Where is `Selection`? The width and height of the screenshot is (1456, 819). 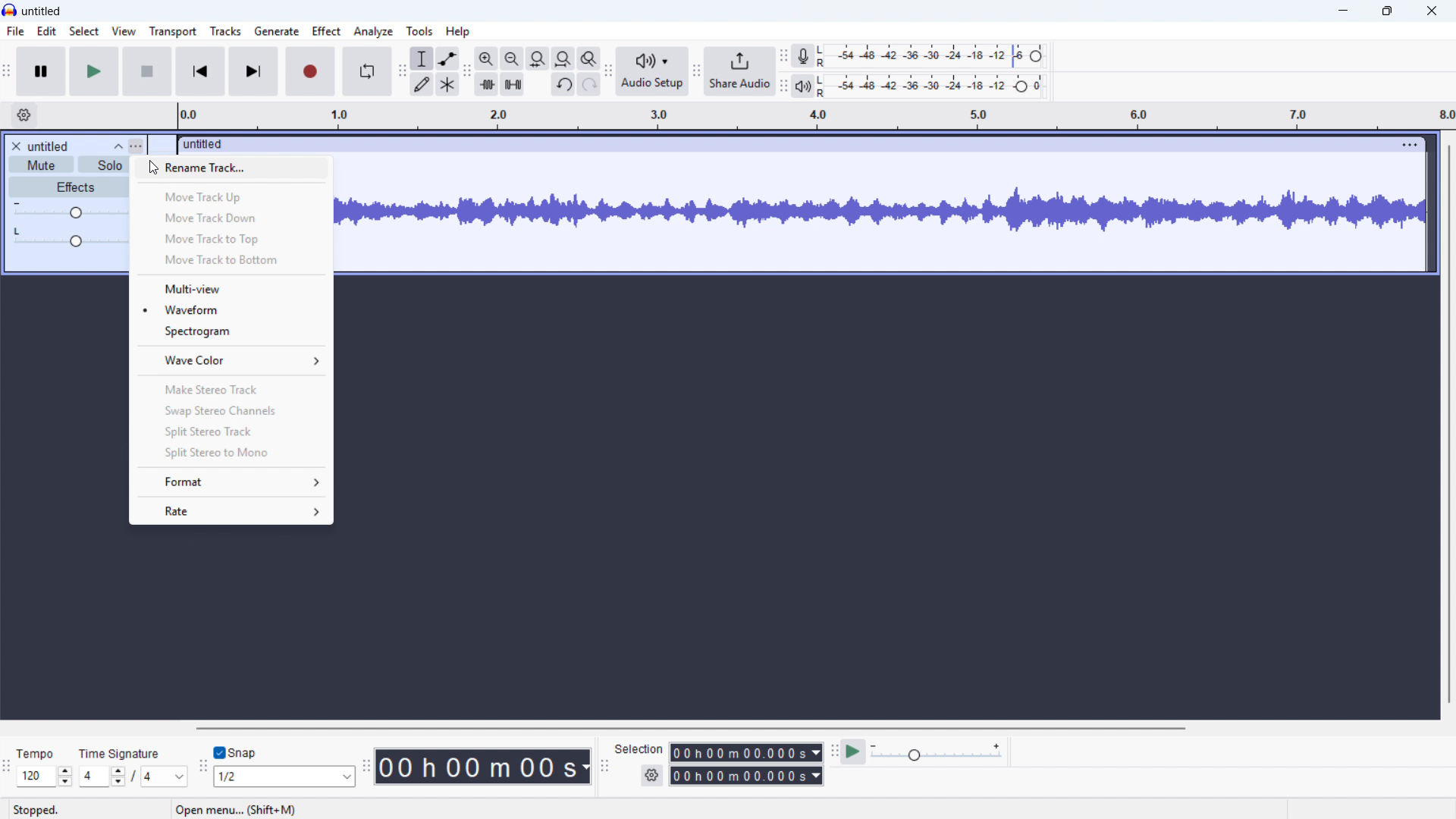
Selection is located at coordinates (640, 749).